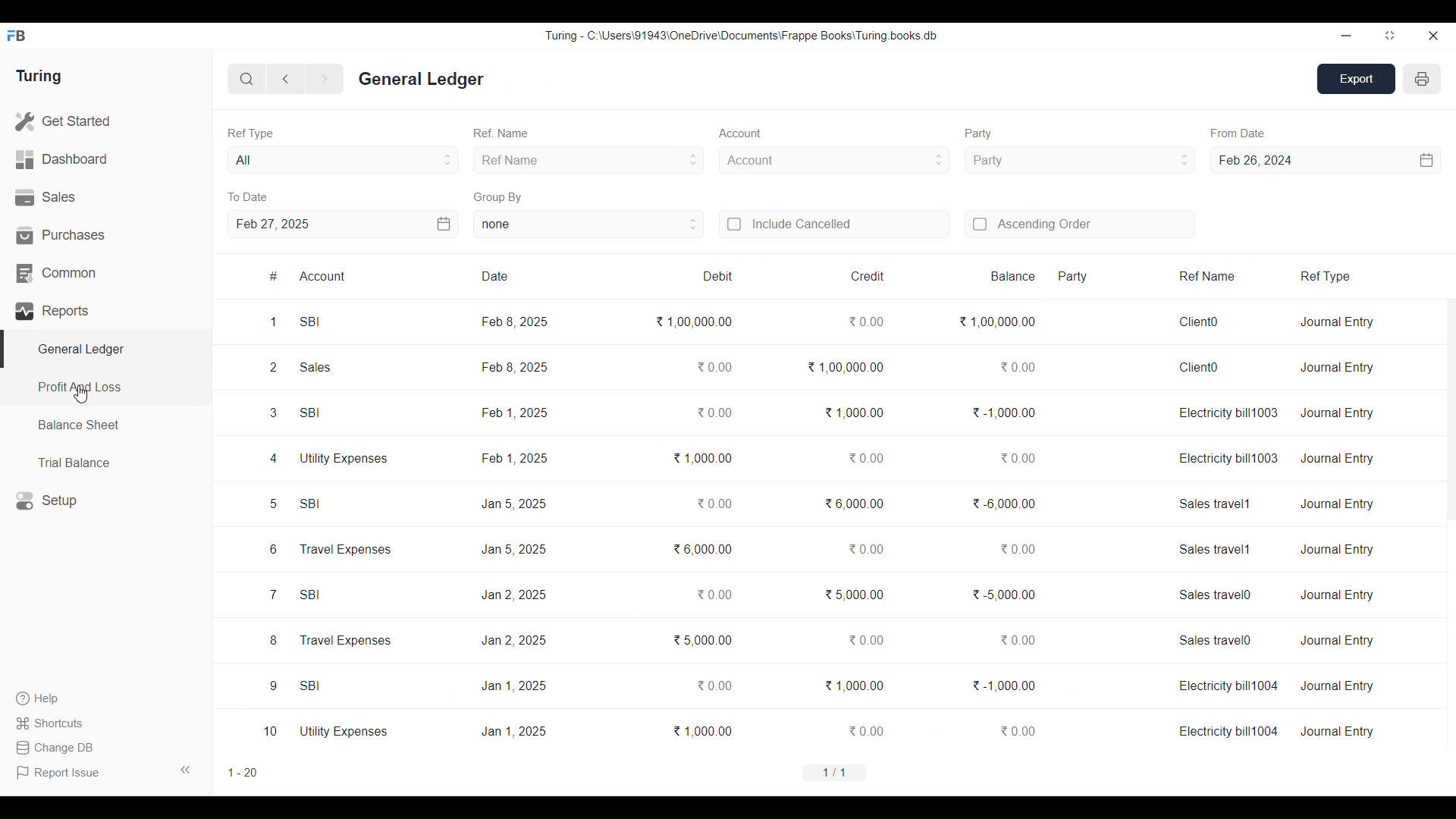 This screenshot has height=819, width=1456. Describe the element at coordinates (52, 723) in the screenshot. I see `Shortcuts` at that location.